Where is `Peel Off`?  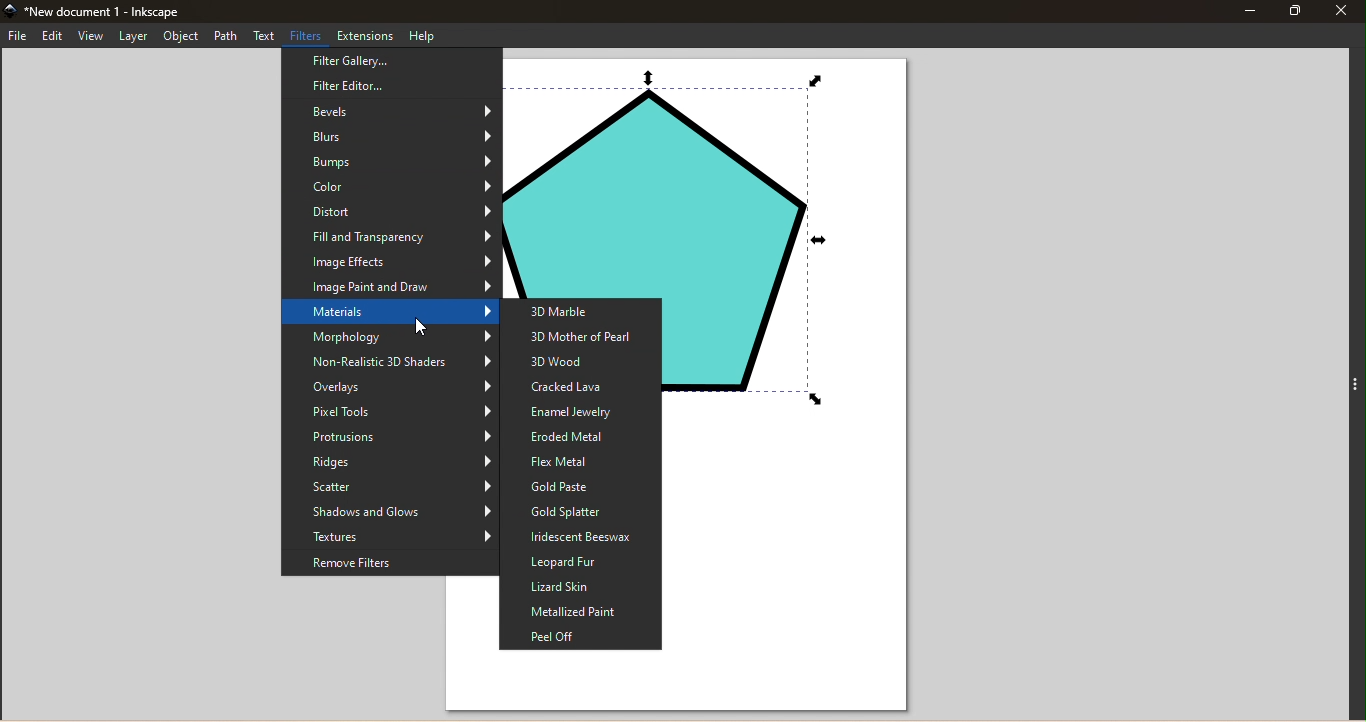 Peel Off is located at coordinates (578, 637).